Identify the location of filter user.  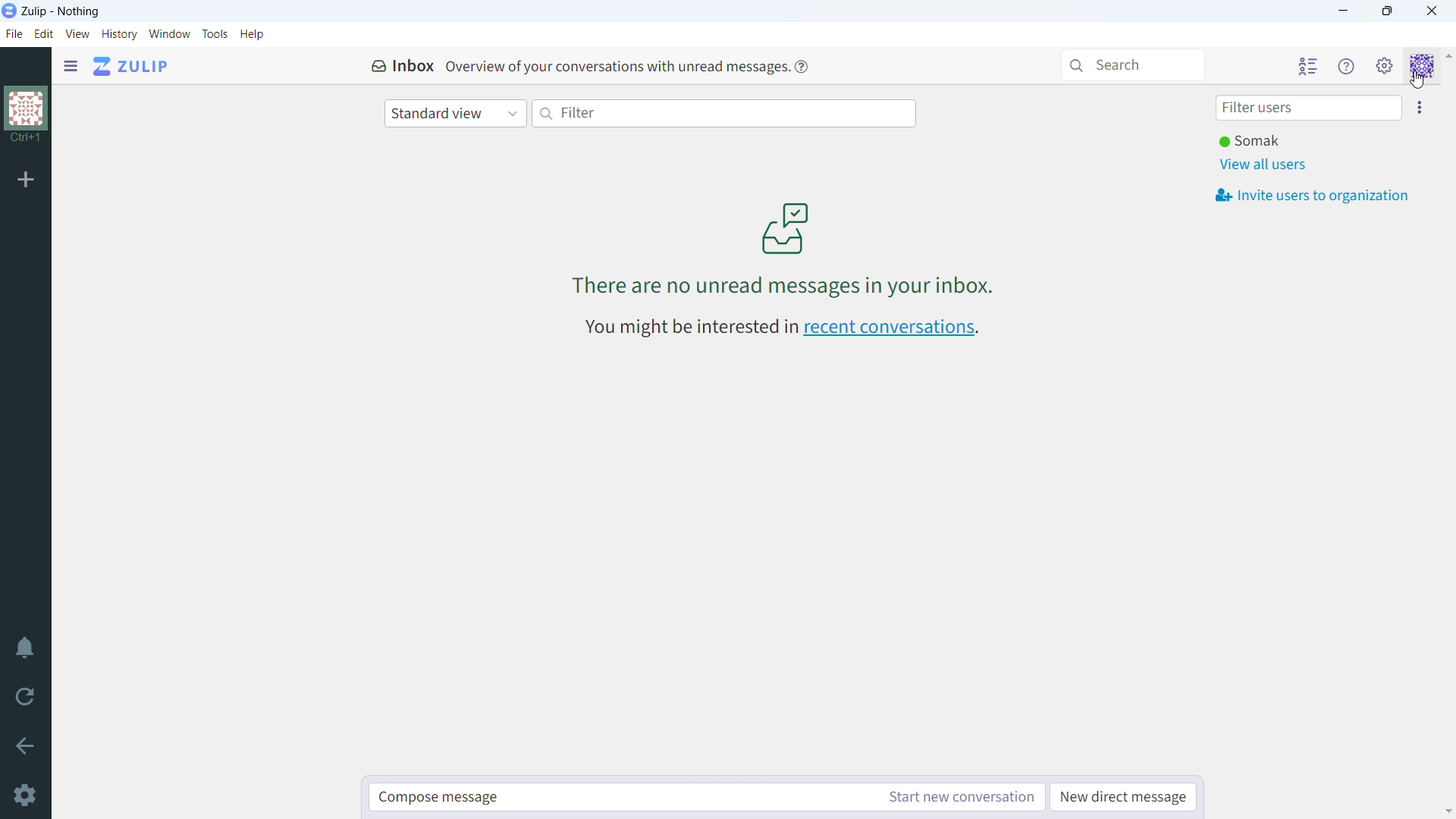
(1309, 108).